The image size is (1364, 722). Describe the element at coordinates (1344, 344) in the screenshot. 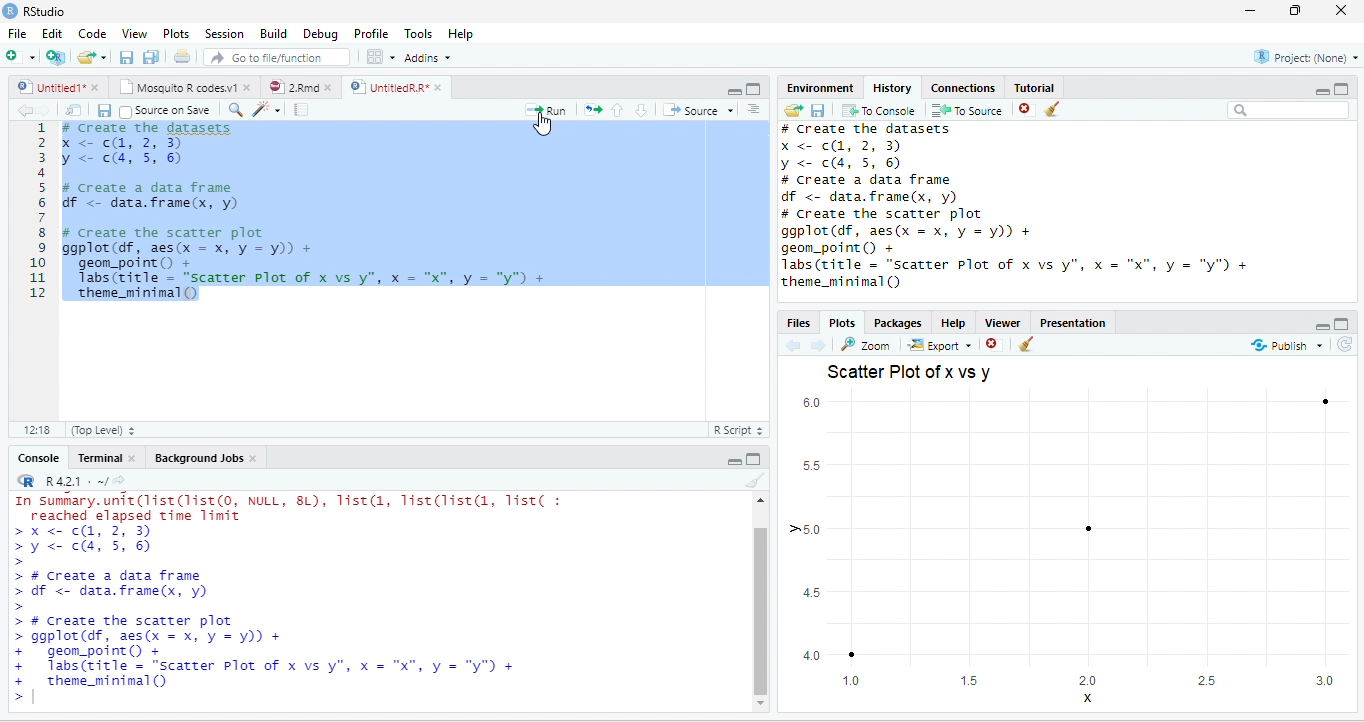

I see `Refresh current plot` at that location.